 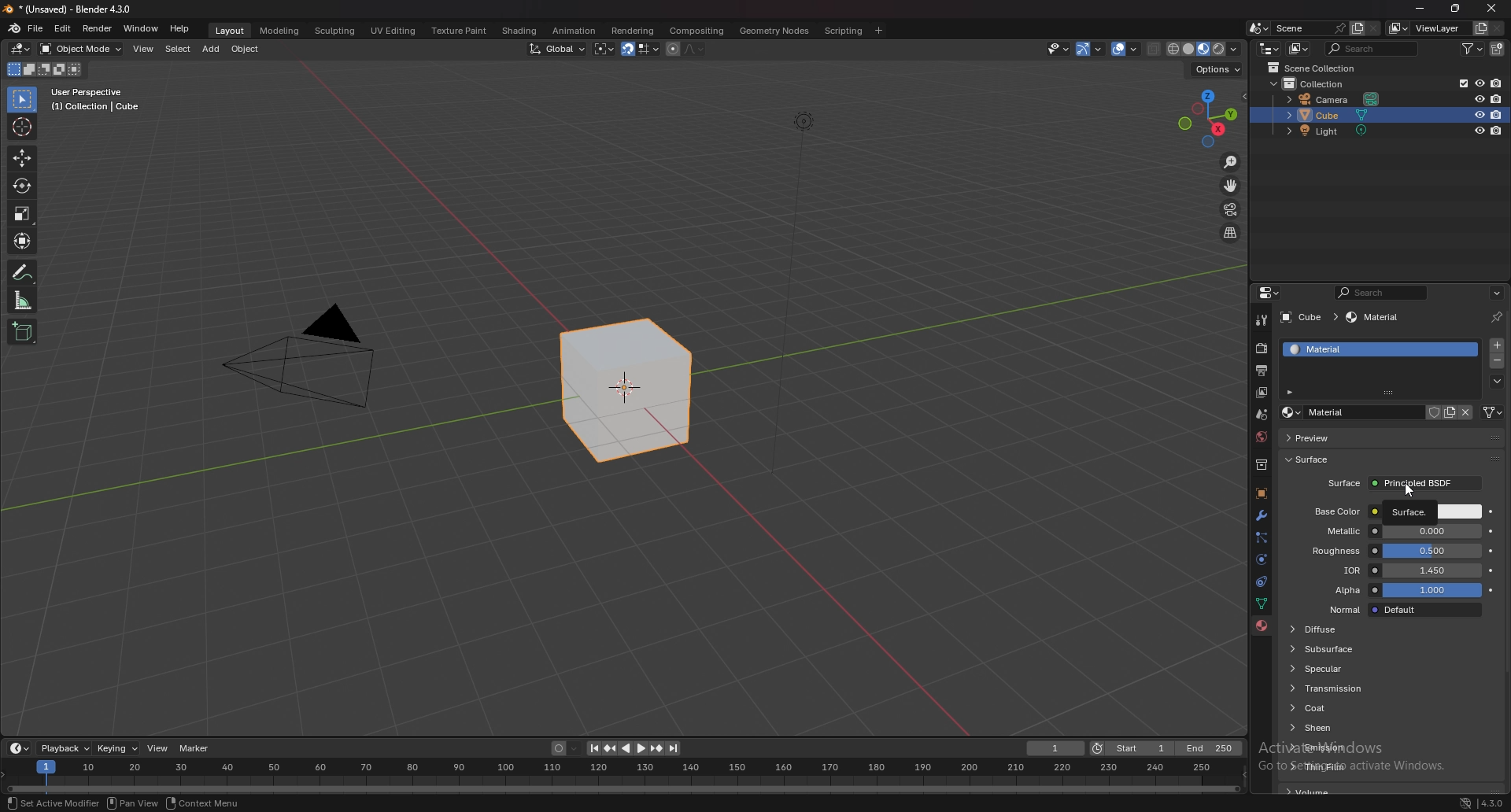 What do you see at coordinates (1420, 9) in the screenshot?
I see `minimize` at bounding box center [1420, 9].